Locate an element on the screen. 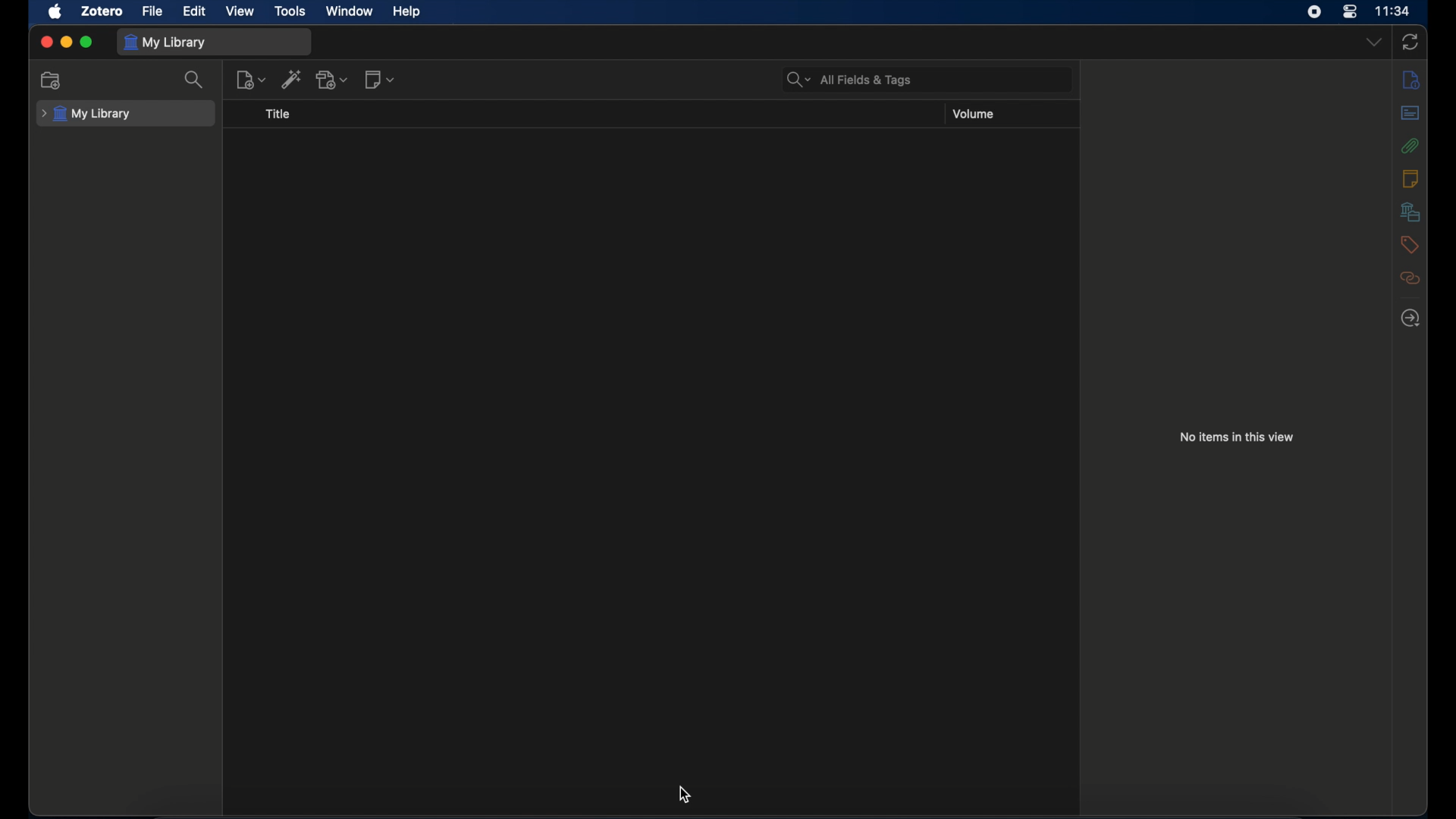 This screenshot has width=1456, height=819. edit is located at coordinates (196, 12).